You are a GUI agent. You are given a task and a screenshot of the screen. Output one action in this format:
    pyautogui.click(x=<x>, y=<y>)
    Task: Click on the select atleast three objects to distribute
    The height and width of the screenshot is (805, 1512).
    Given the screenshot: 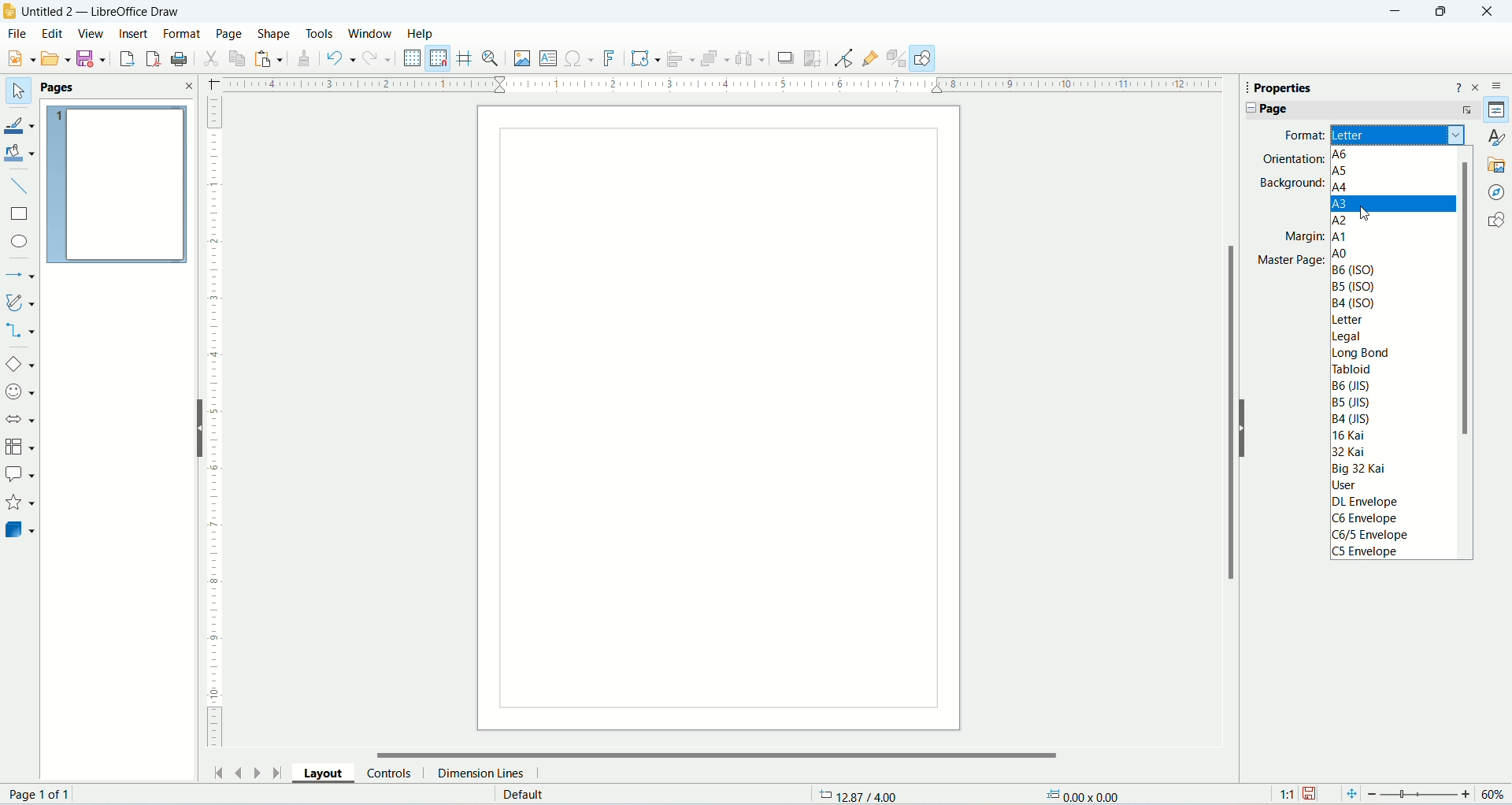 What is the action you would take?
    pyautogui.click(x=750, y=60)
    